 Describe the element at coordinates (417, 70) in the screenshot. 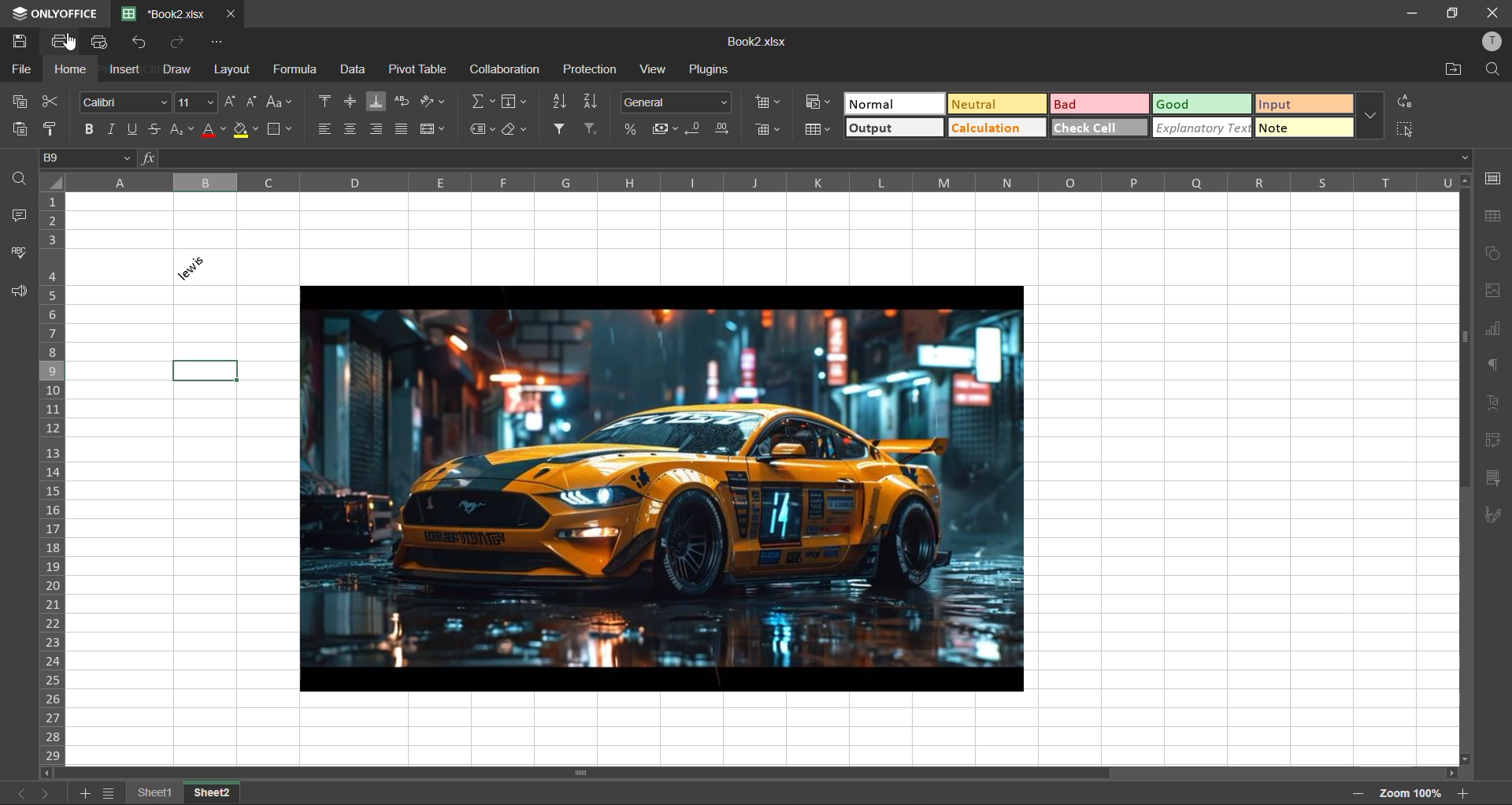

I see `pivot table` at that location.